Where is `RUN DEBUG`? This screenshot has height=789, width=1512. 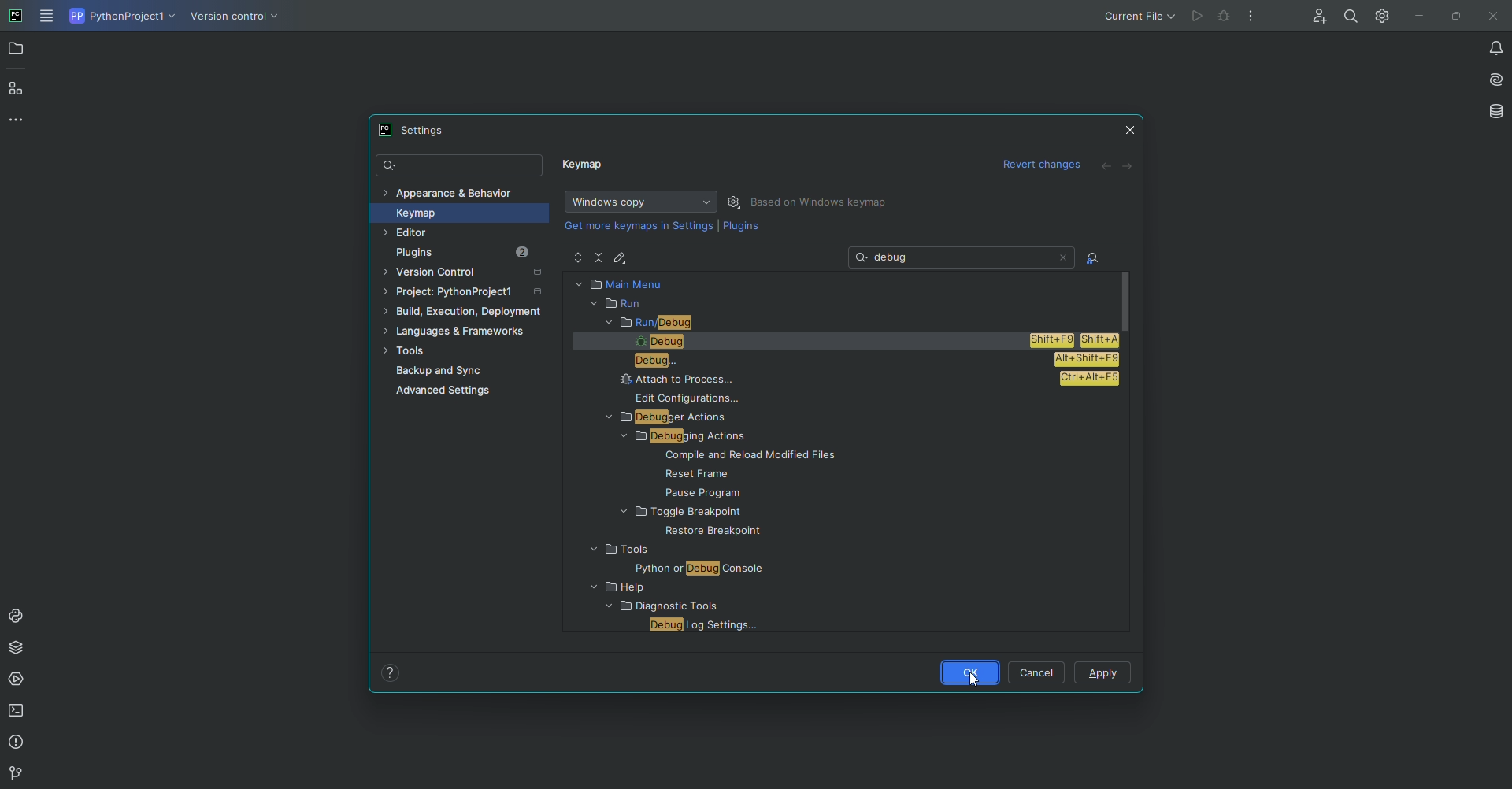
RUN DEBUG is located at coordinates (854, 323).